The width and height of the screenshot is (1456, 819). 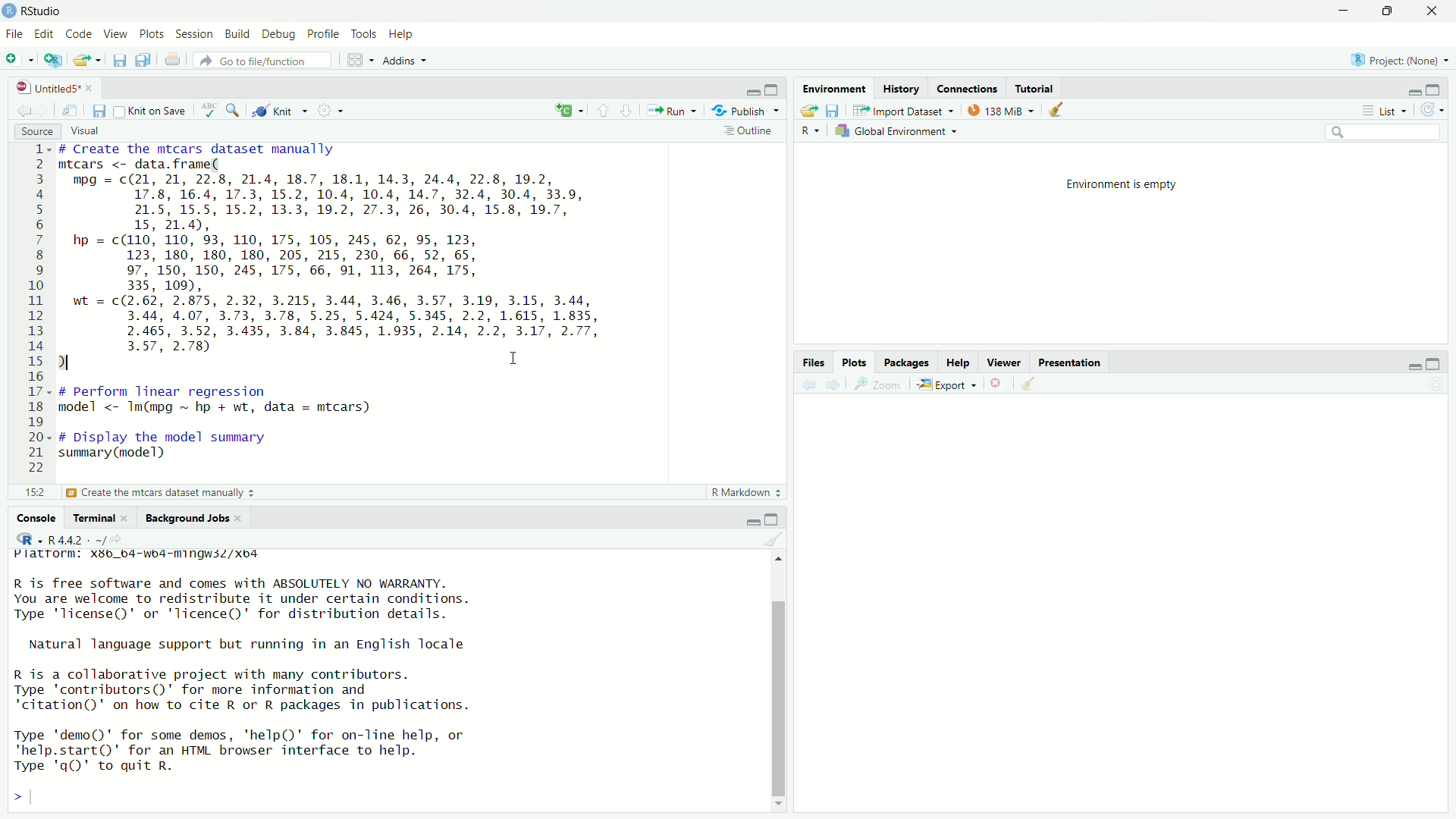 What do you see at coordinates (85, 130) in the screenshot?
I see `visual` at bounding box center [85, 130].